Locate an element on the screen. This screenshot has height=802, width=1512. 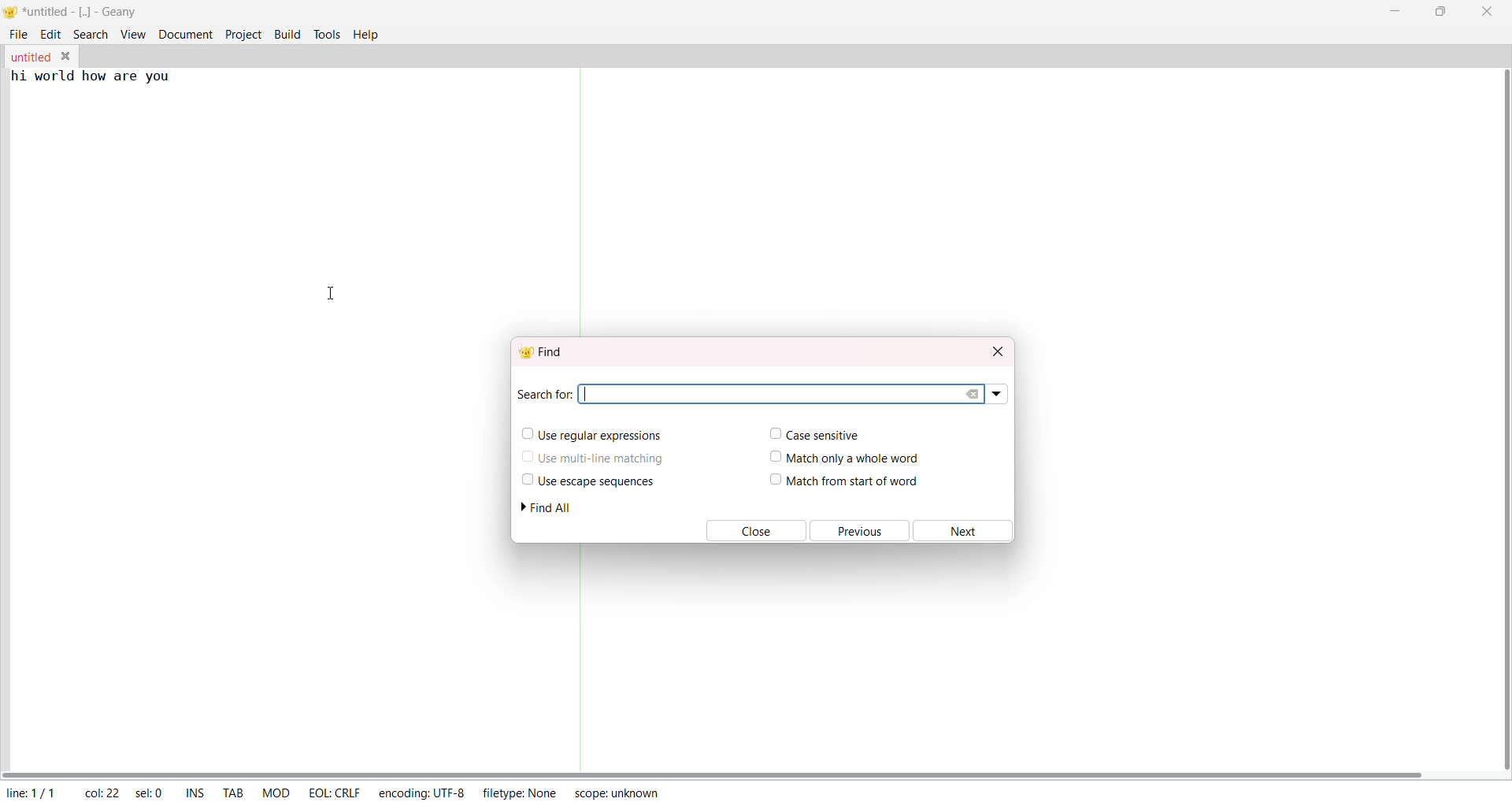
close is located at coordinates (748, 532).